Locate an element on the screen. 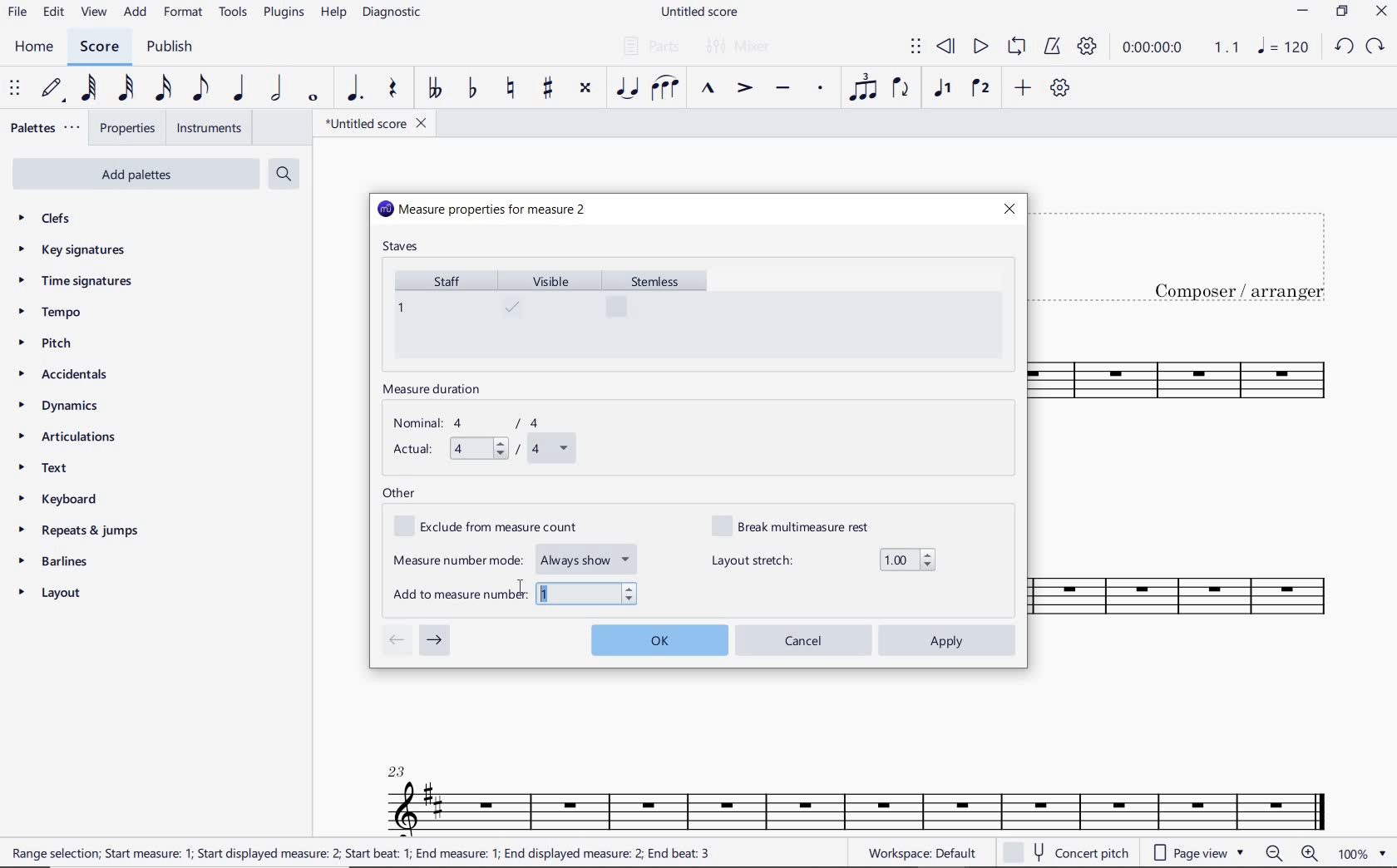 This screenshot has height=868, width=1397. CLEFS is located at coordinates (55, 219).